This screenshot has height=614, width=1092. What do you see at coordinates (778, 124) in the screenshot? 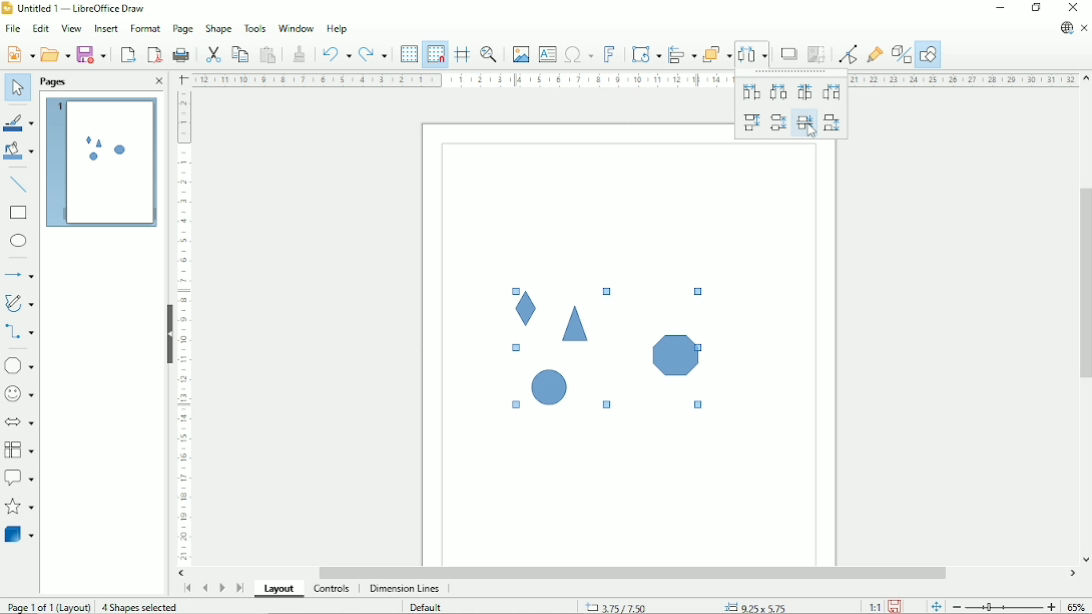
I see `Vertically center` at bounding box center [778, 124].